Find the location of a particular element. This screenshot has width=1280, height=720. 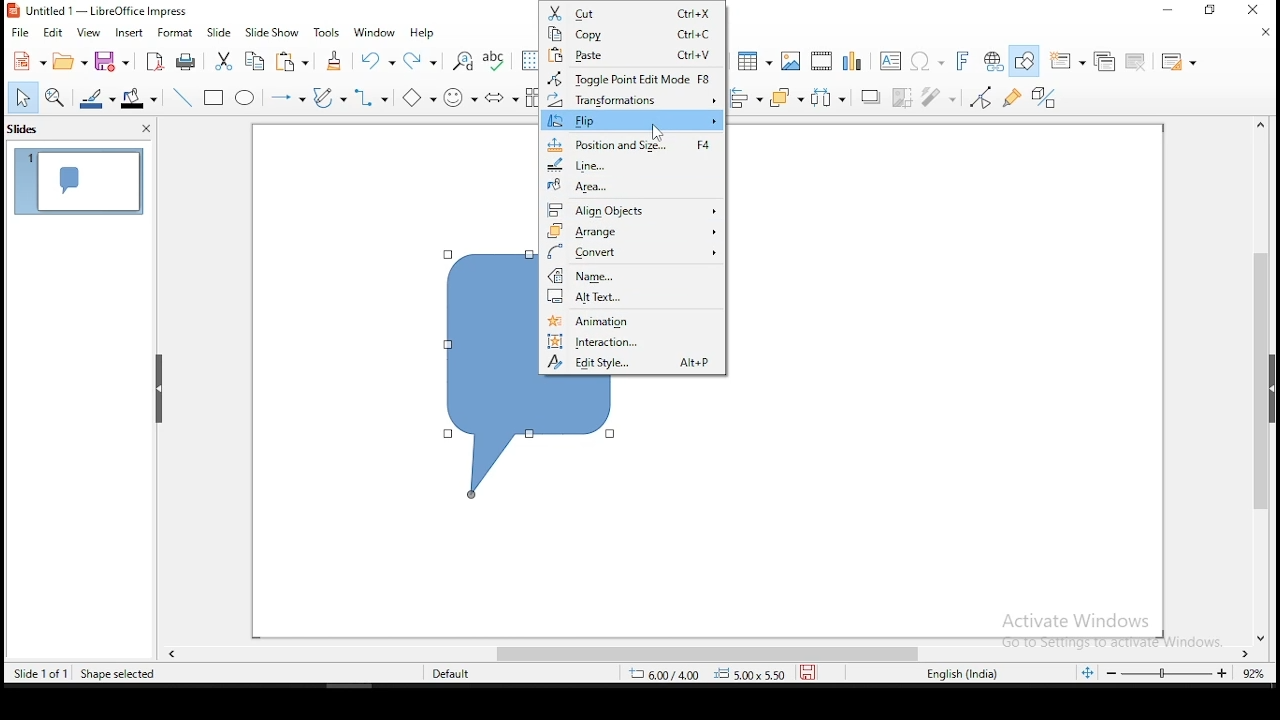

edit is located at coordinates (55, 31).